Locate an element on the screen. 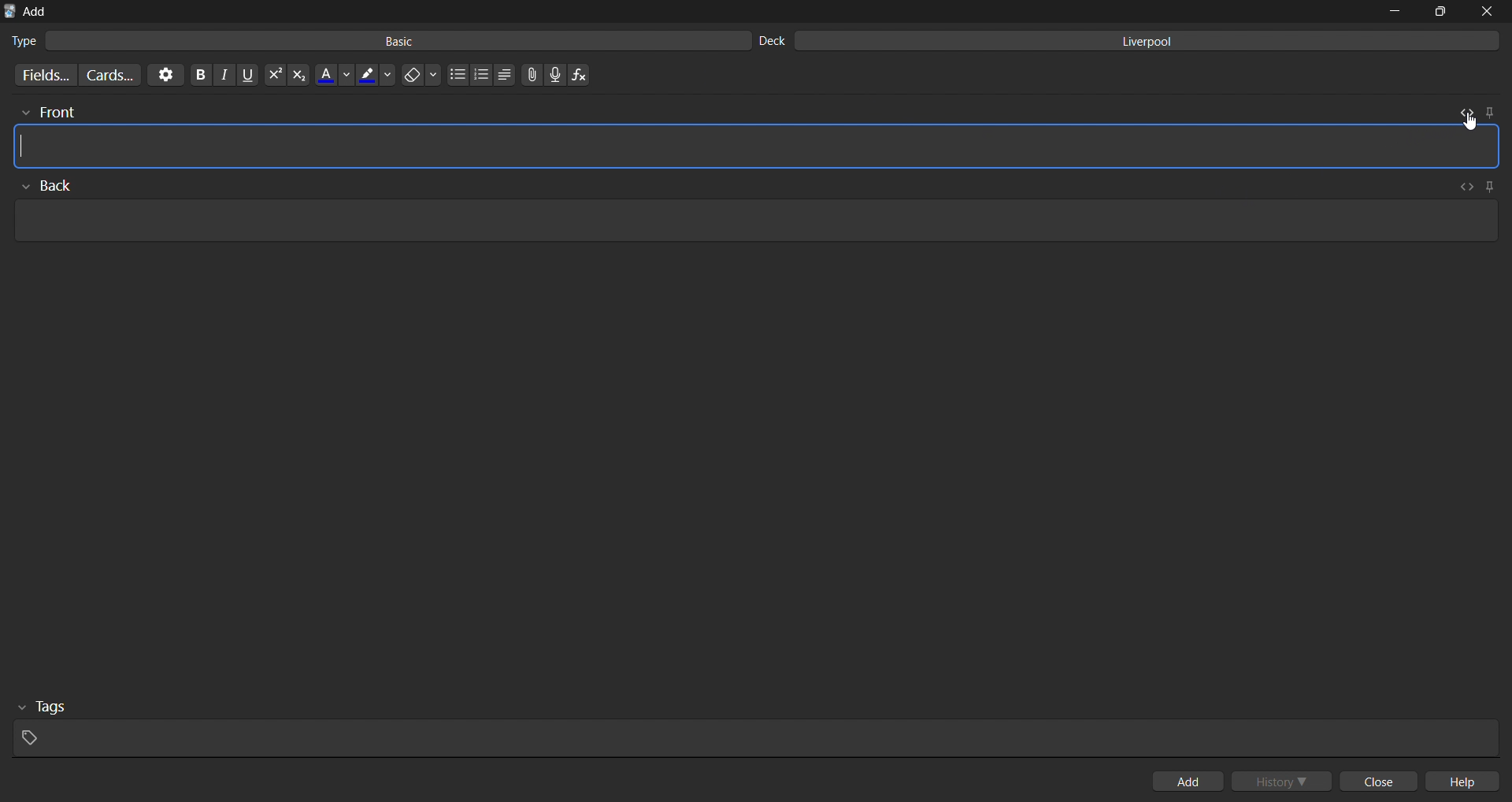 This screenshot has width=1512, height=802. history is located at coordinates (1285, 780).